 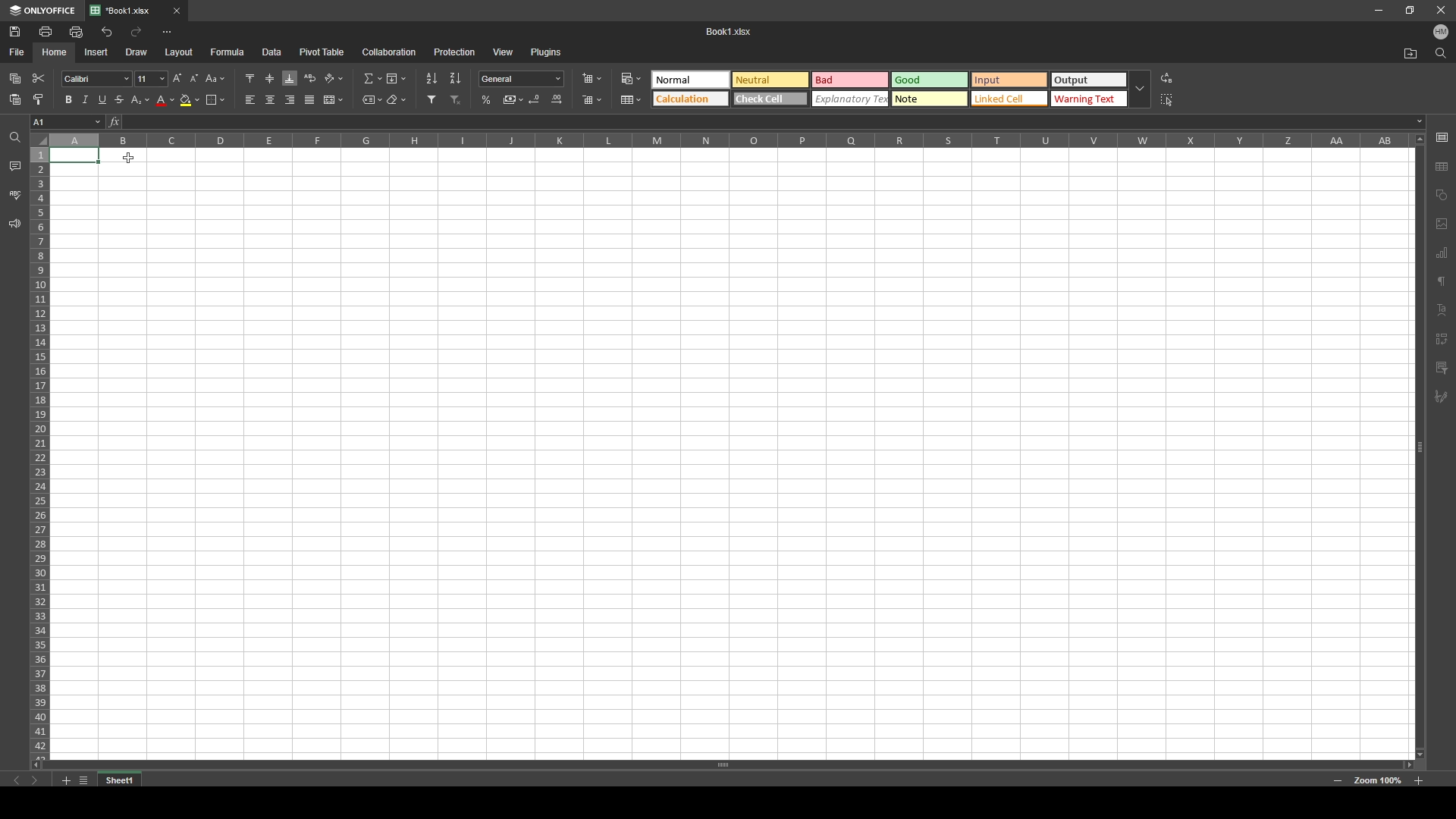 What do you see at coordinates (1442, 254) in the screenshot?
I see `chart` at bounding box center [1442, 254].